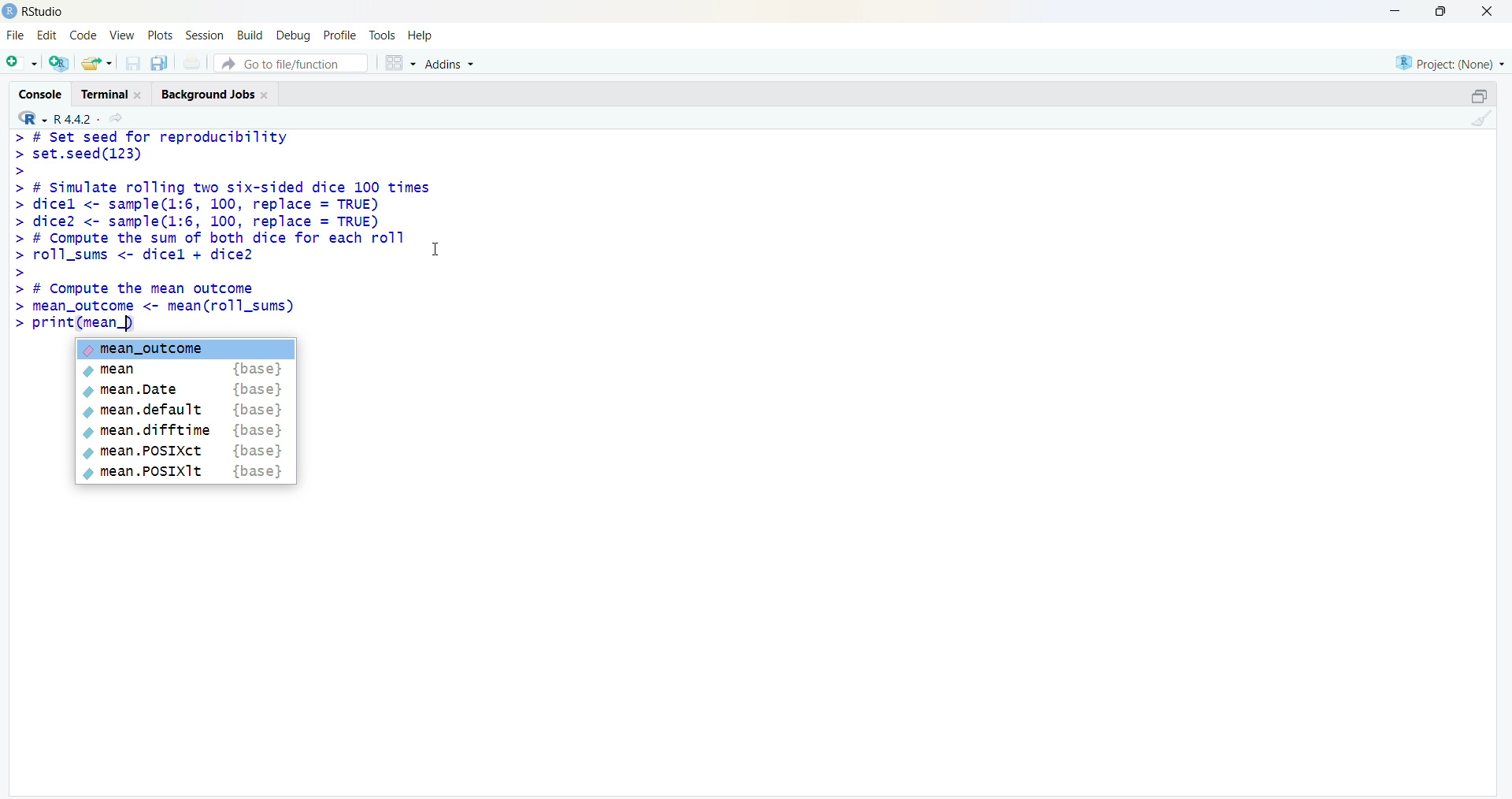  I want to click on > # Set seed for reproducibility> set.seed(123)>> # Simulate rolling two six-sided dice 100 times> dicel <- sample(1:6, 100, replace = TRUE)> dice2 <- sample(1:6, 100, replace = TRUE)> # Compute the sum of both dice for each rollroll_sums <- dicel + dice2# Compute the mean outcomemean_outcome <- mean(roll_sums)>> print(mean_), so click(220, 231).